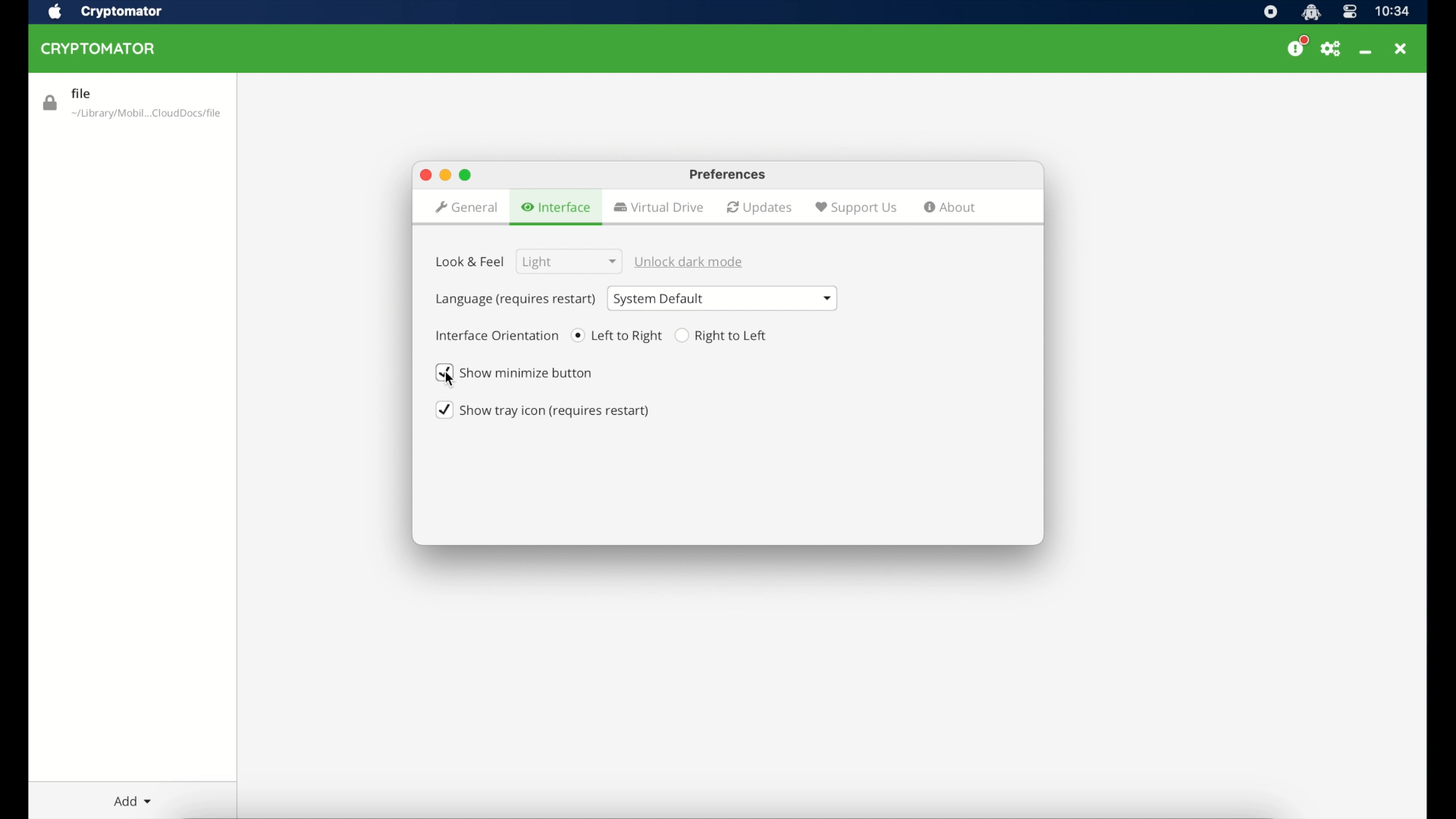 The width and height of the screenshot is (1456, 819). I want to click on add dropdown, so click(133, 801).